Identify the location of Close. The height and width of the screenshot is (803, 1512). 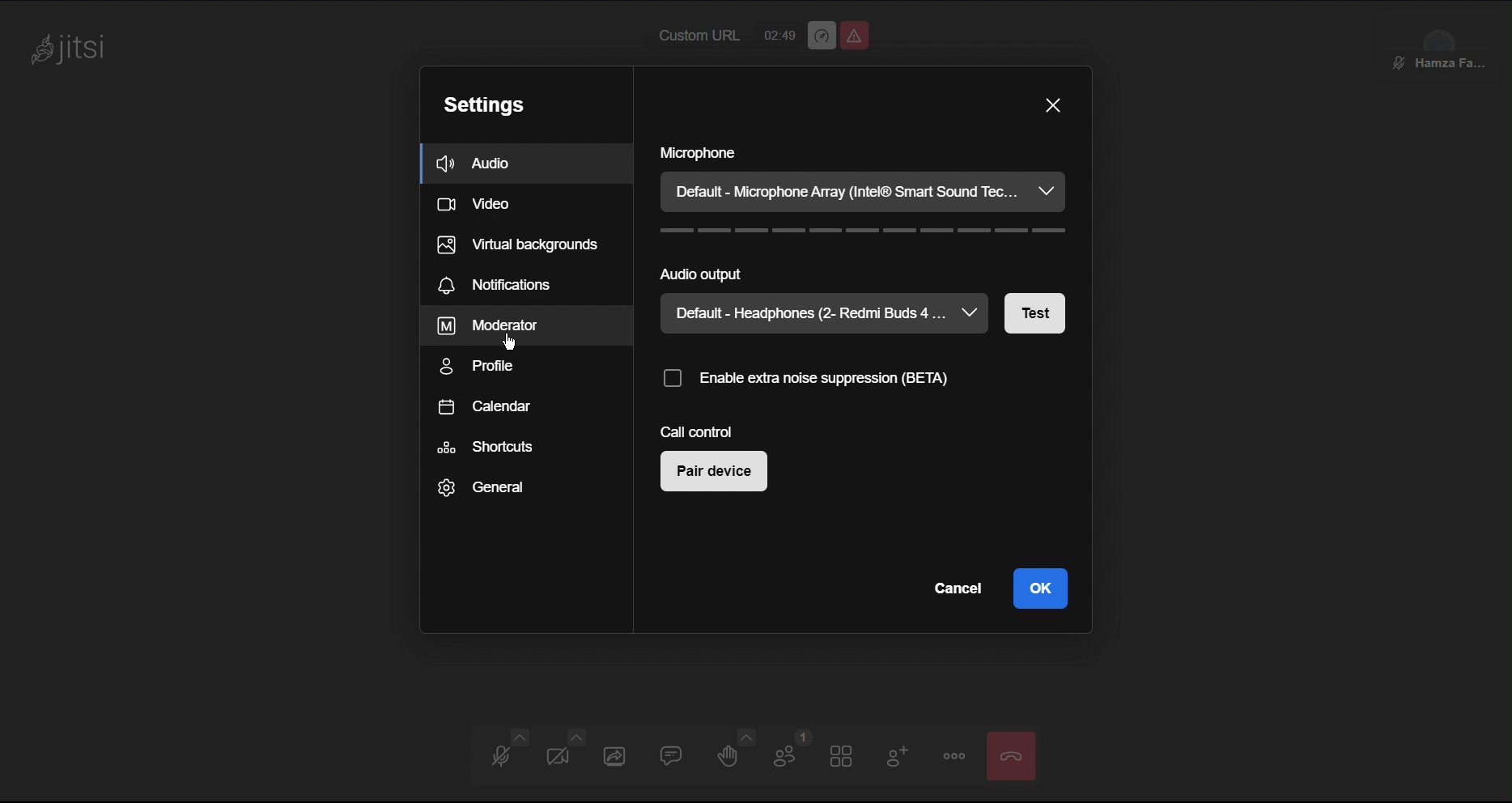
(1054, 102).